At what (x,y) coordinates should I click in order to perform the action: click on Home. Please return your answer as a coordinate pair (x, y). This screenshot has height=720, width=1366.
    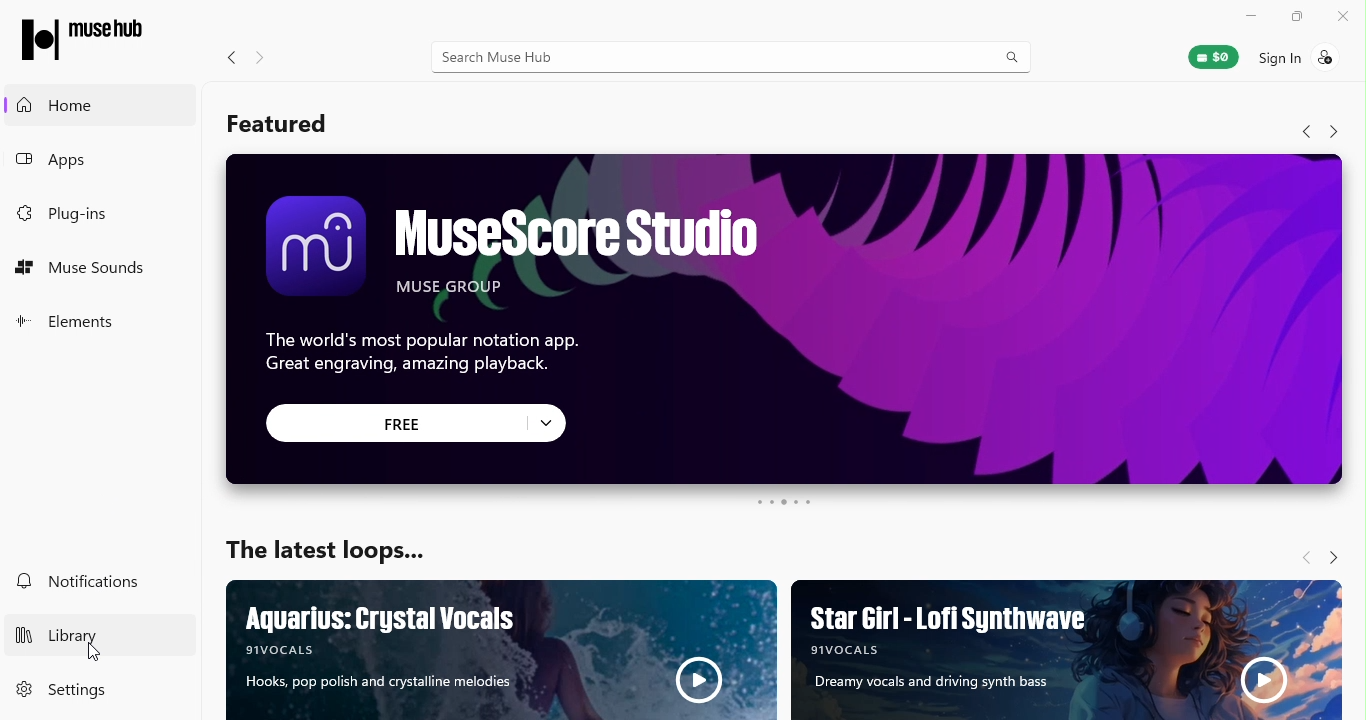
    Looking at the image, I should click on (102, 107).